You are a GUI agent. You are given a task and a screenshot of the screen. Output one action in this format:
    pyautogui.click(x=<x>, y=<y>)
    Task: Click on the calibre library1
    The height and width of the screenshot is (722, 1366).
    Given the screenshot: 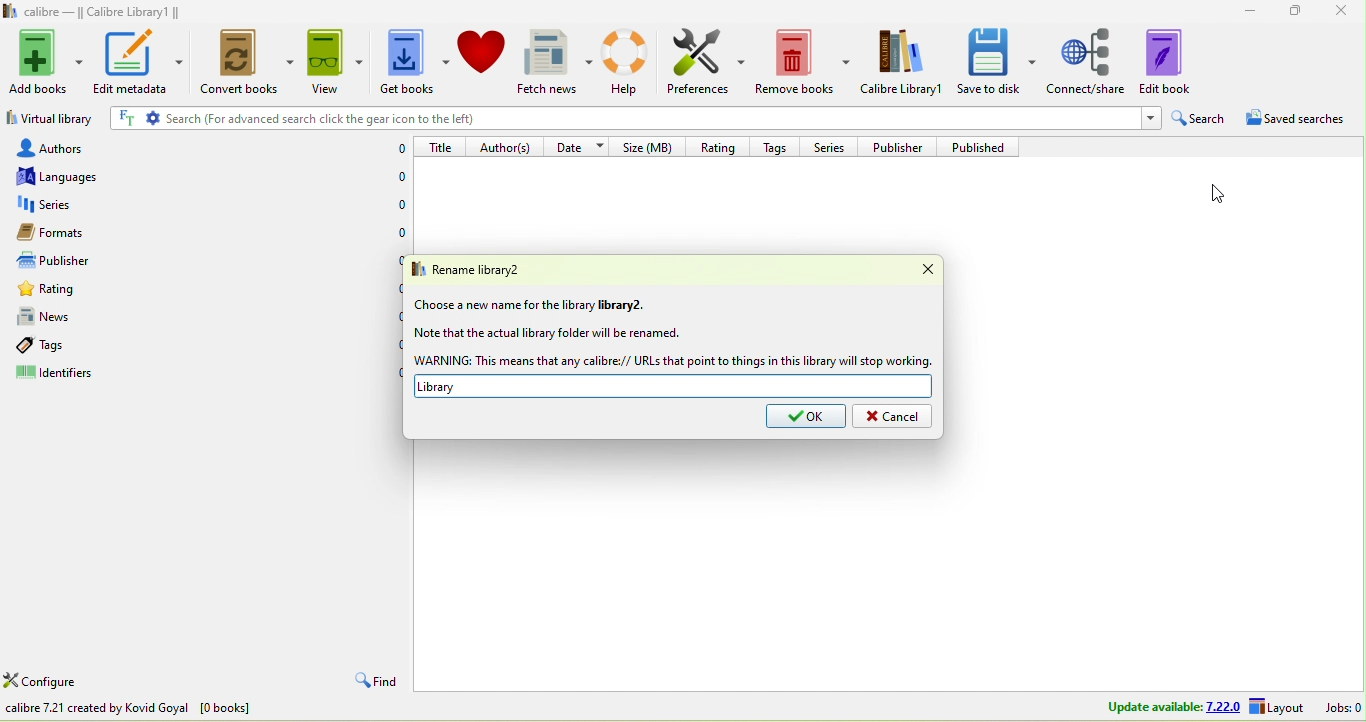 What is the action you would take?
    pyautogui.click(x=904, y=62)
    